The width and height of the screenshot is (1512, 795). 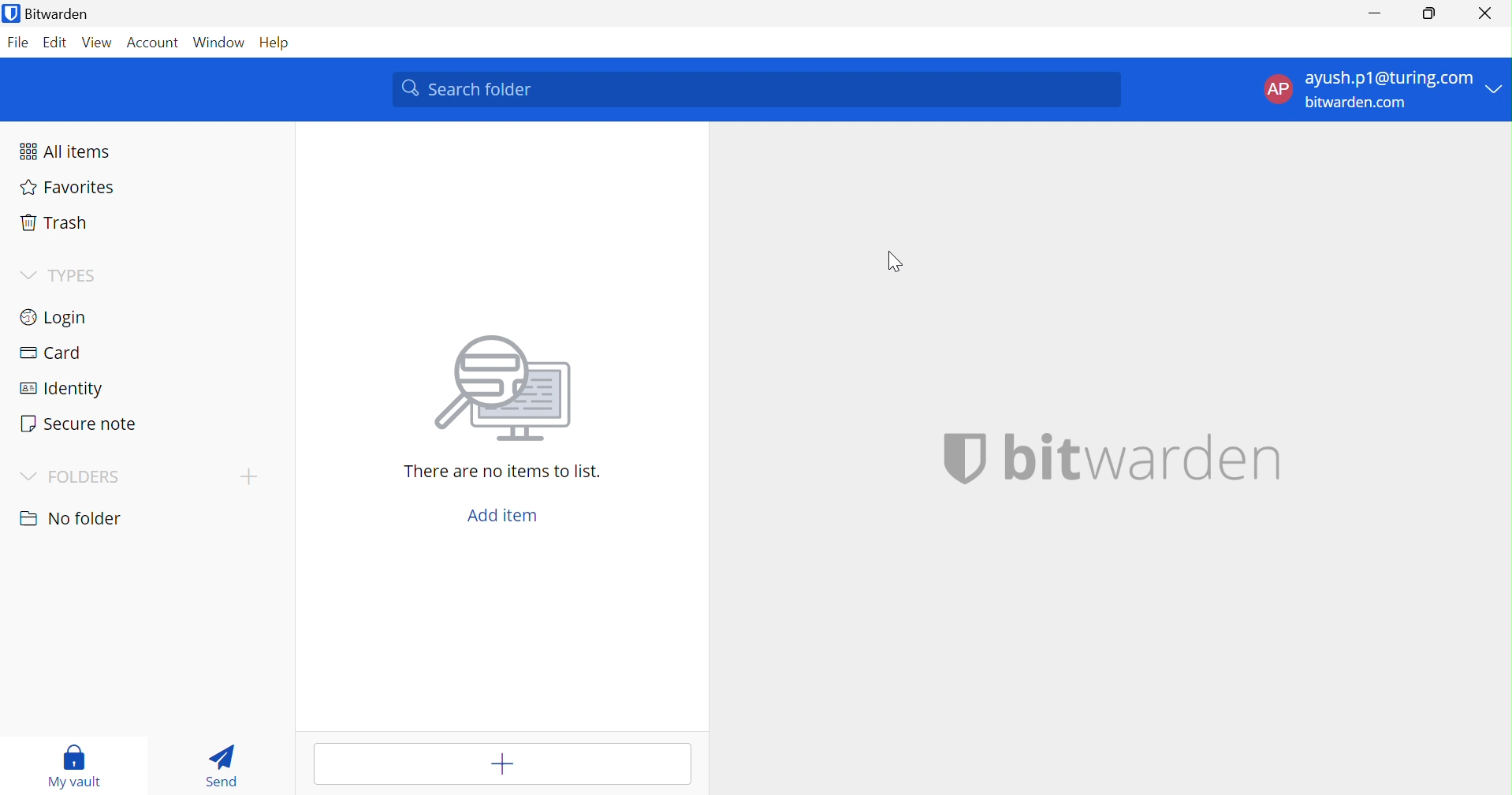 I want to click on Restore Down, so click(x=1430, y=11).